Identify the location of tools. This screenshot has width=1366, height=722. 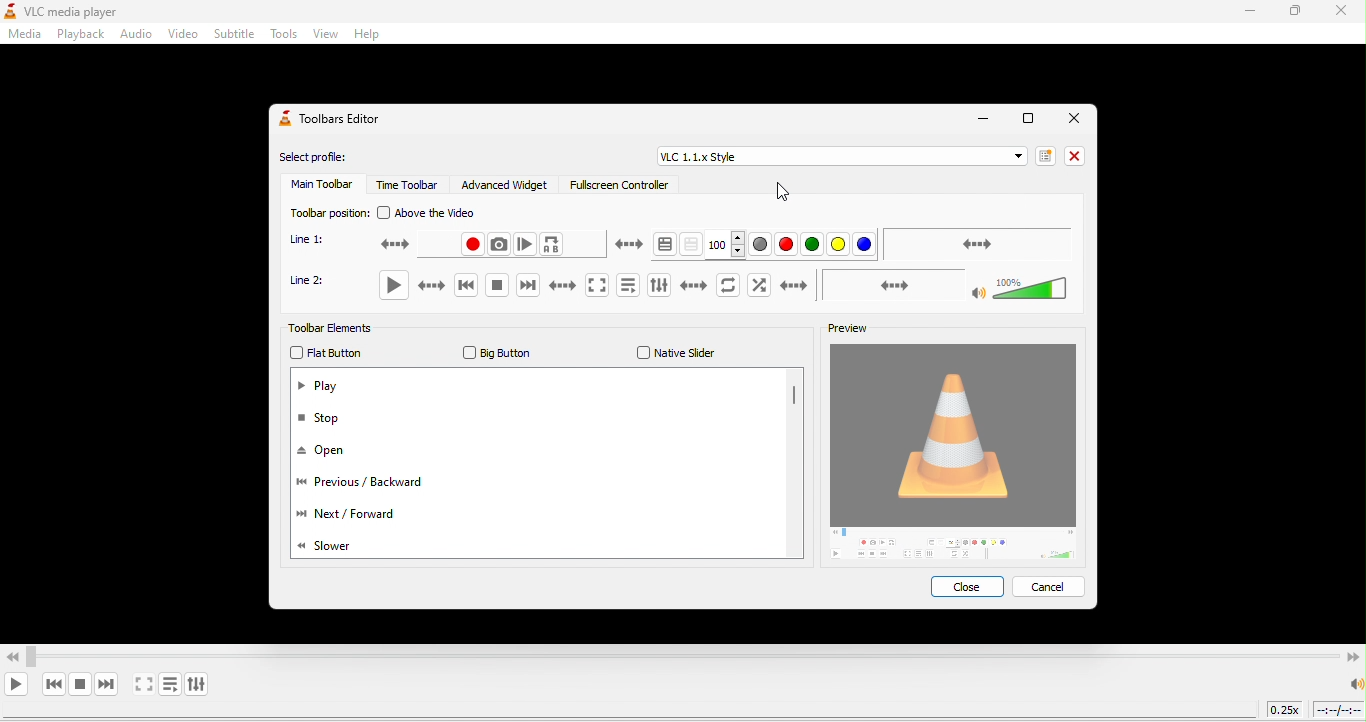
(283, 36).